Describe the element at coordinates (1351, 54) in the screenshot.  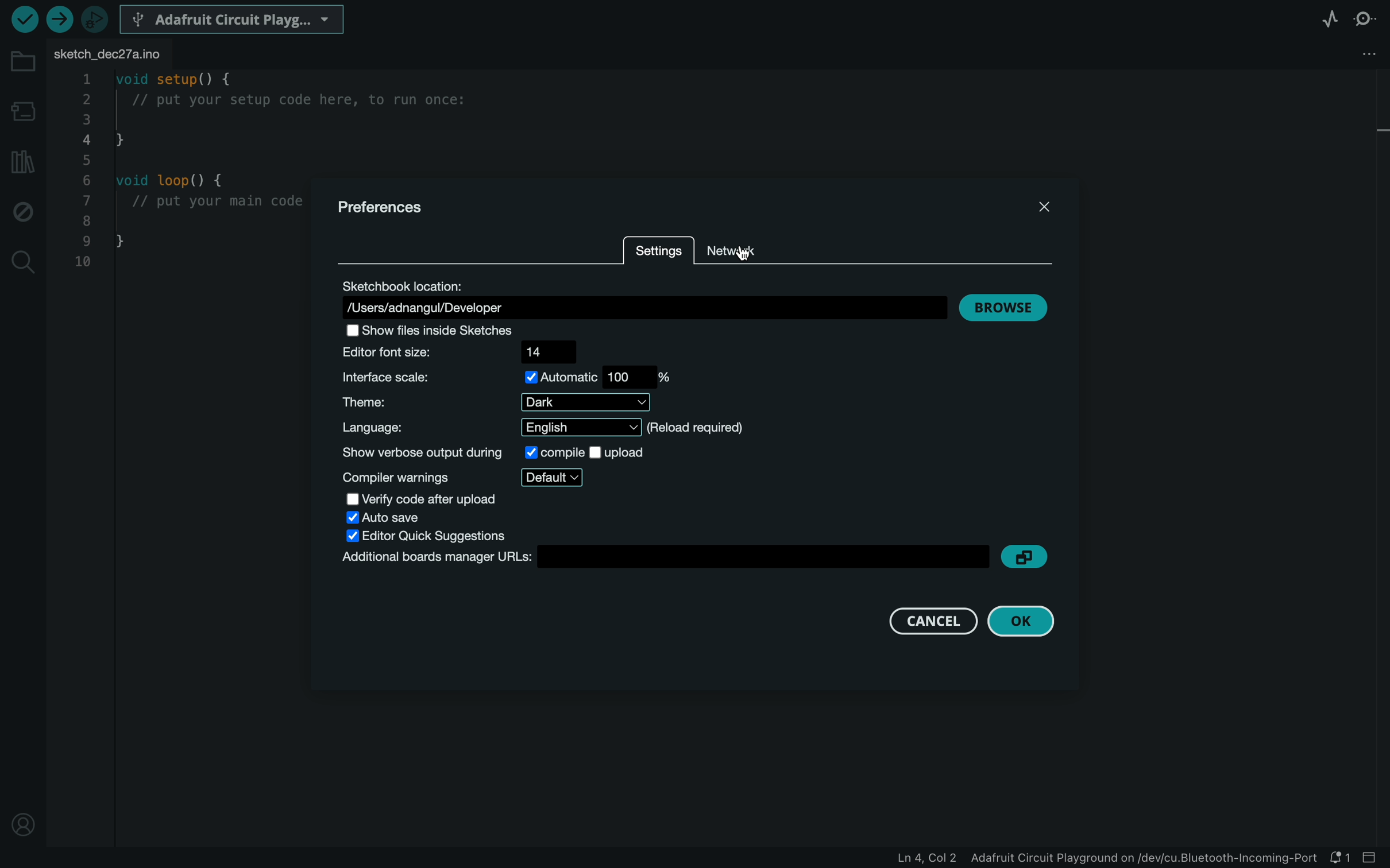
I see `file setting` at that location.